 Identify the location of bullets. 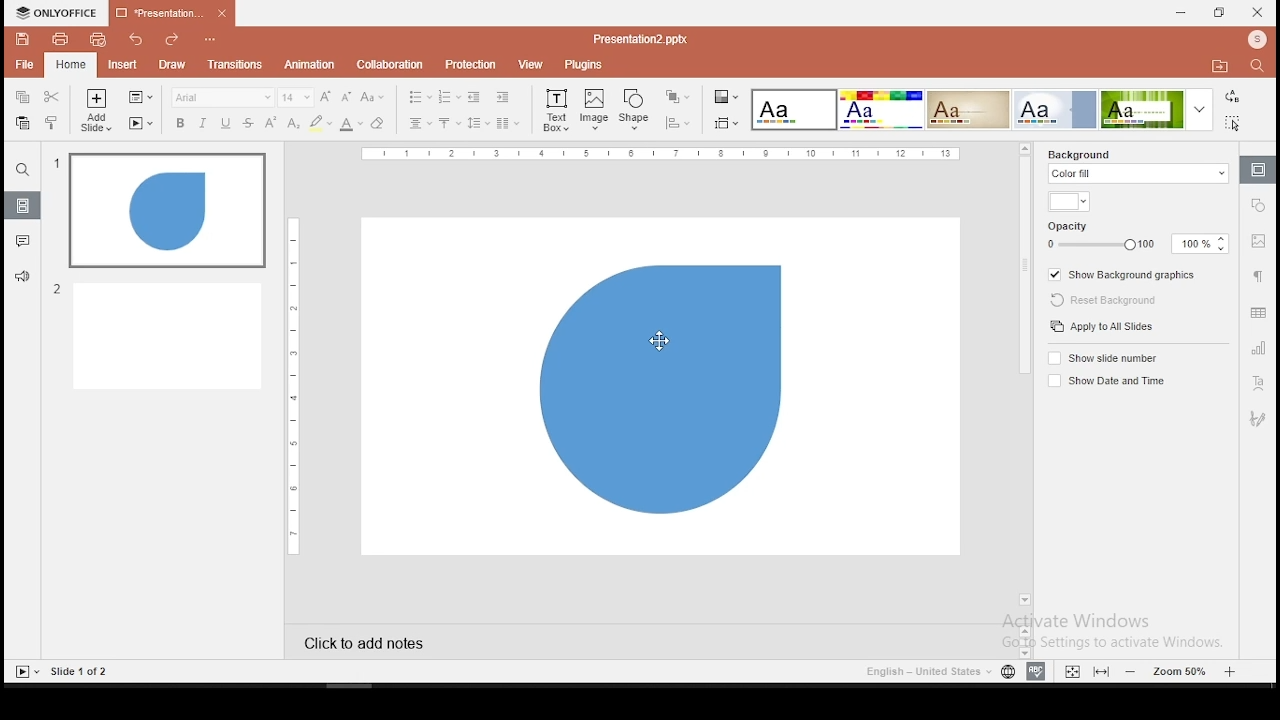
(416, 97).